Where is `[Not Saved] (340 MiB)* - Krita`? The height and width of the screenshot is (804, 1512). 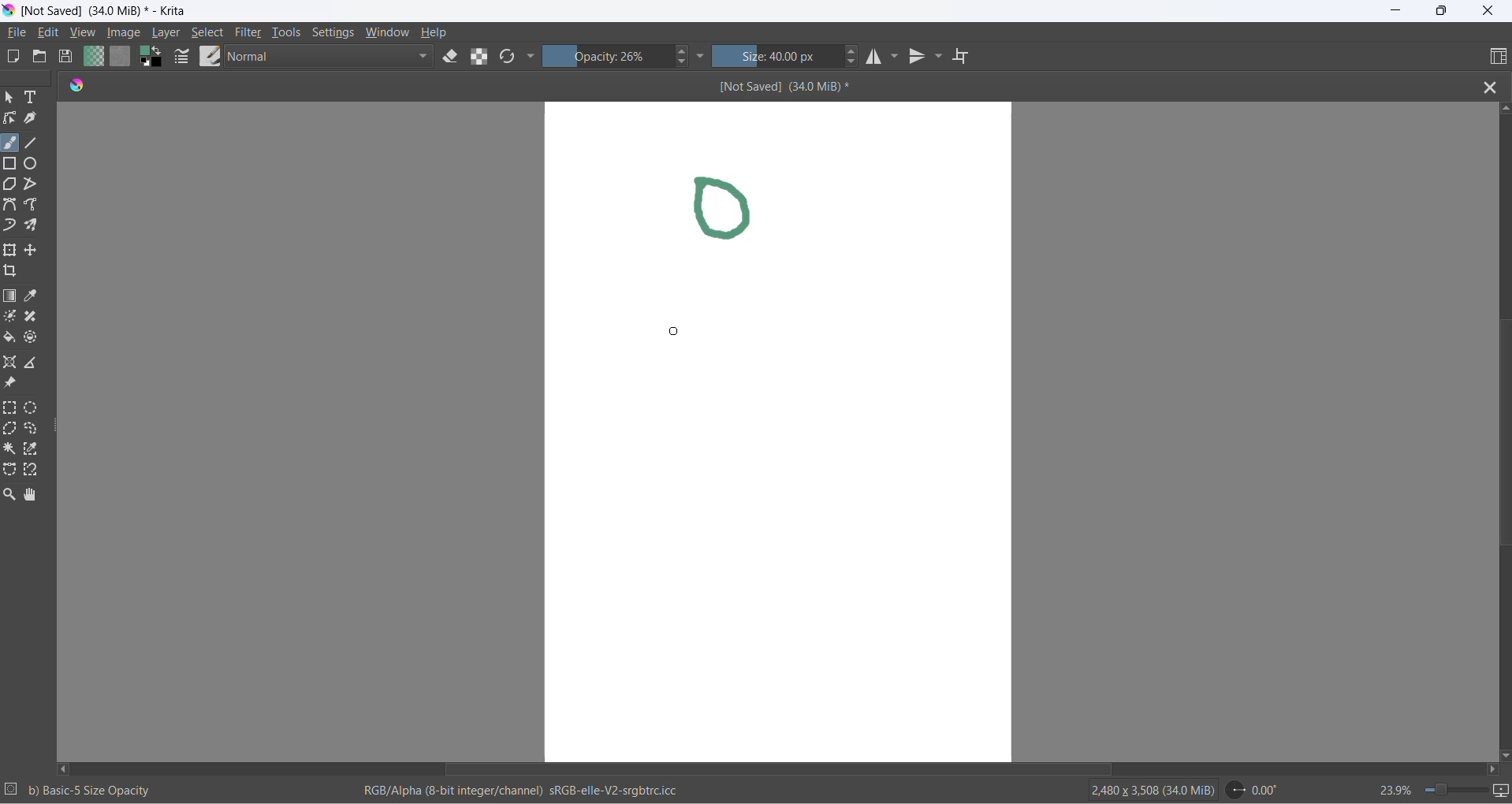 [Not Saved] (340 MiB)* - Krita is located at coordinates (111, 11).